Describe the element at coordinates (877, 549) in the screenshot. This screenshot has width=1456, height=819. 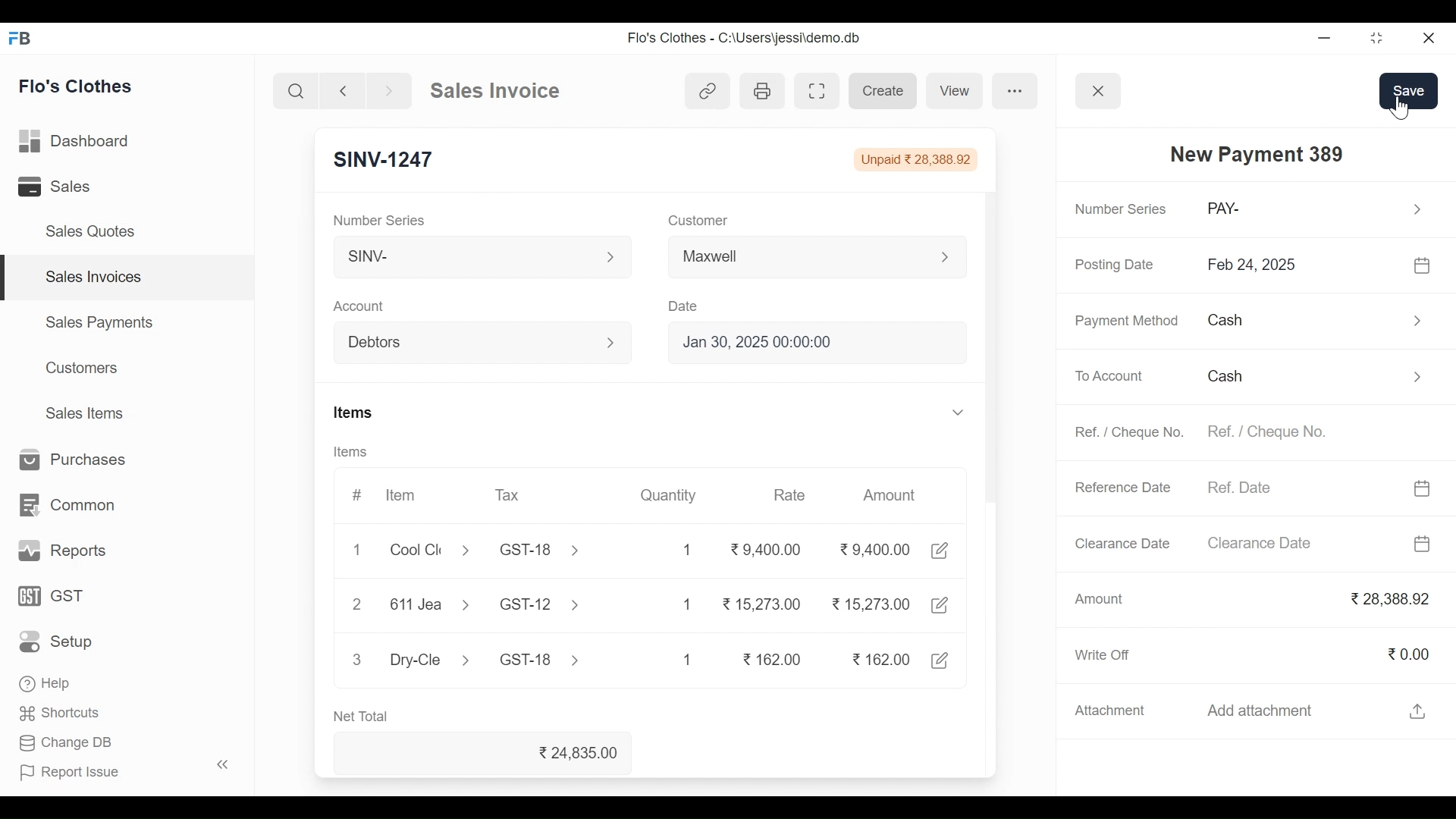
I see `9.400.00` at that location.